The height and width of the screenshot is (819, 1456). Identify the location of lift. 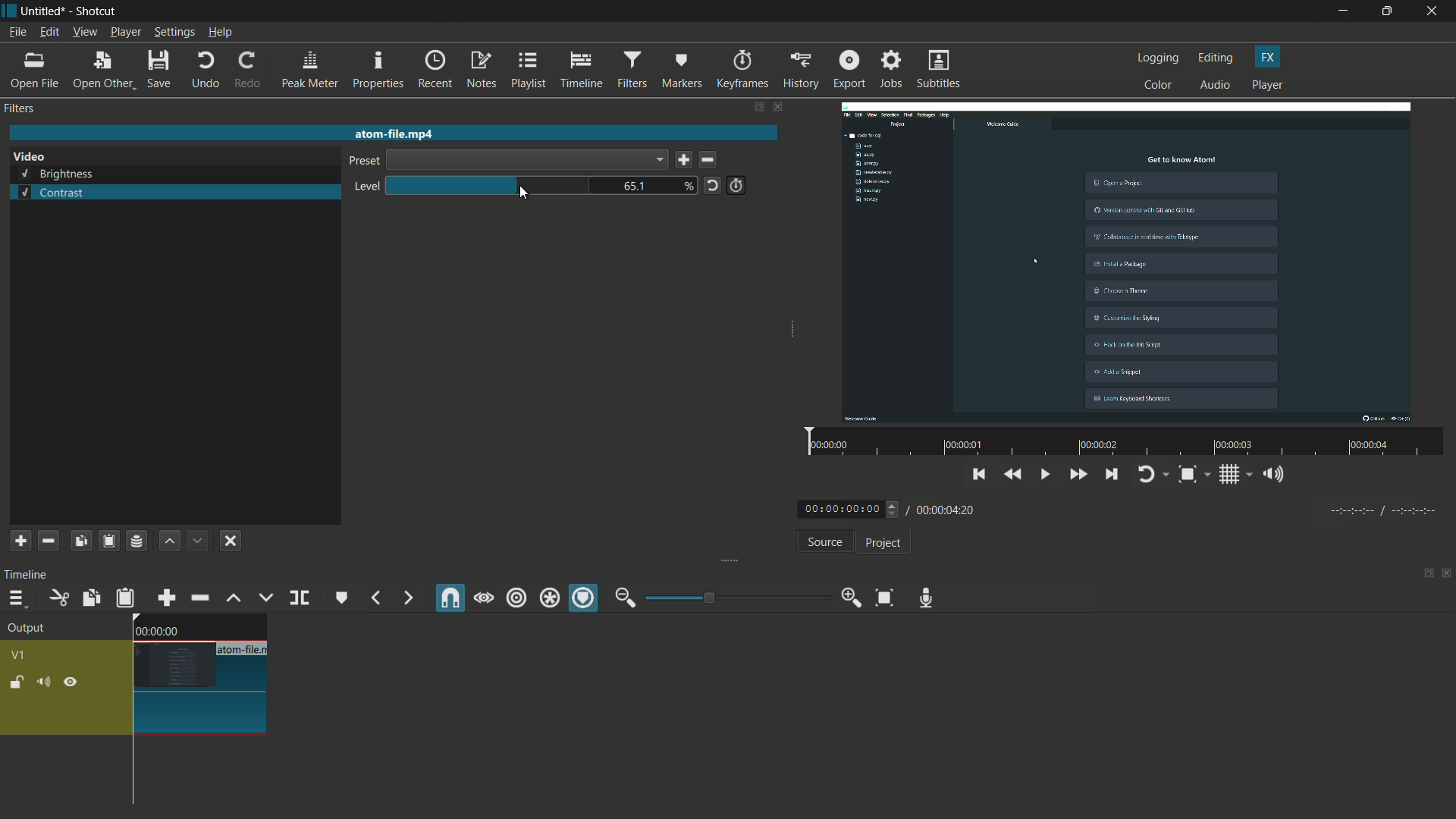
(233, 598).